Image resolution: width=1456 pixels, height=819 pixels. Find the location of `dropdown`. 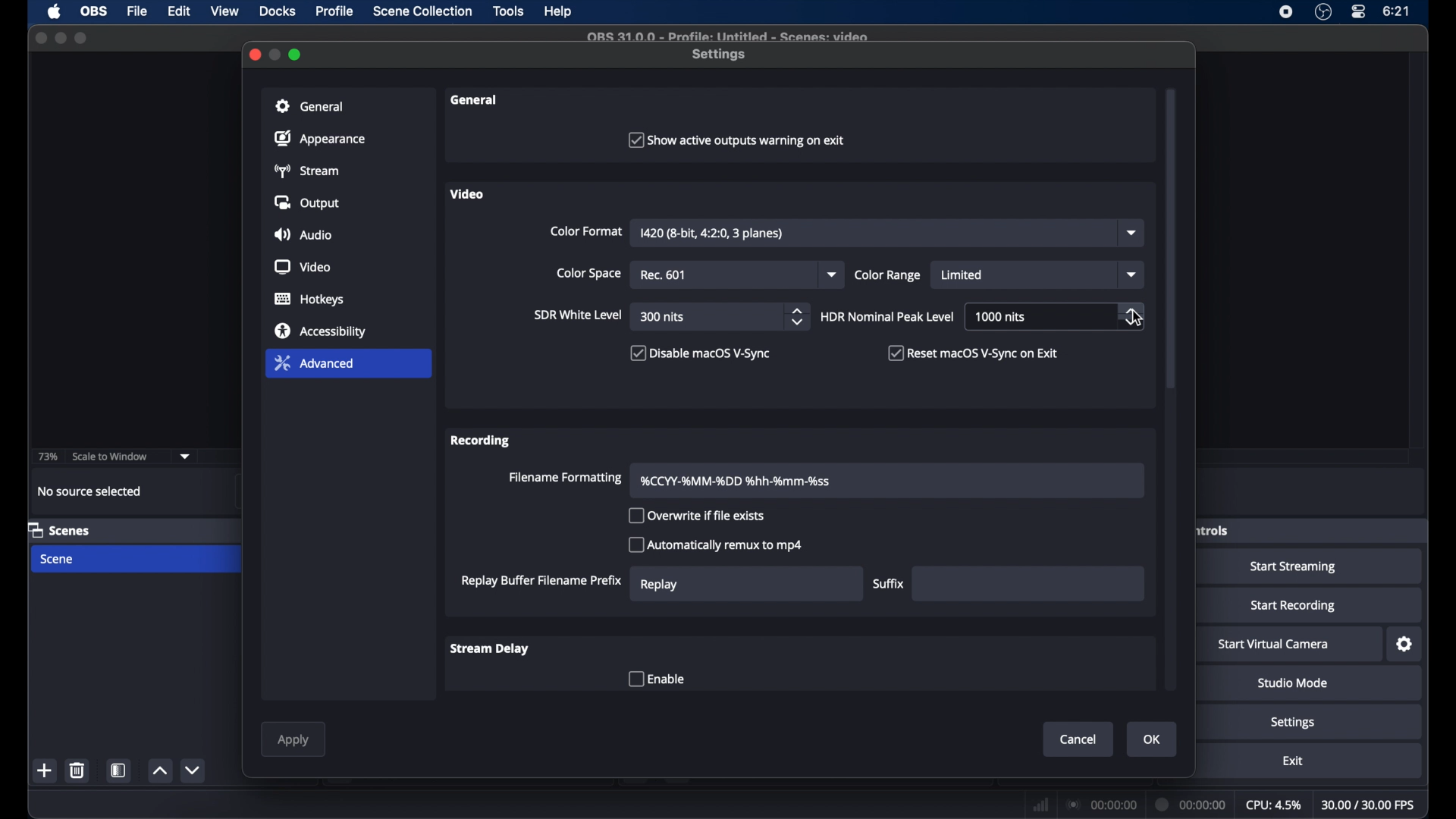

dropdown is located at coordinates (186, 457).